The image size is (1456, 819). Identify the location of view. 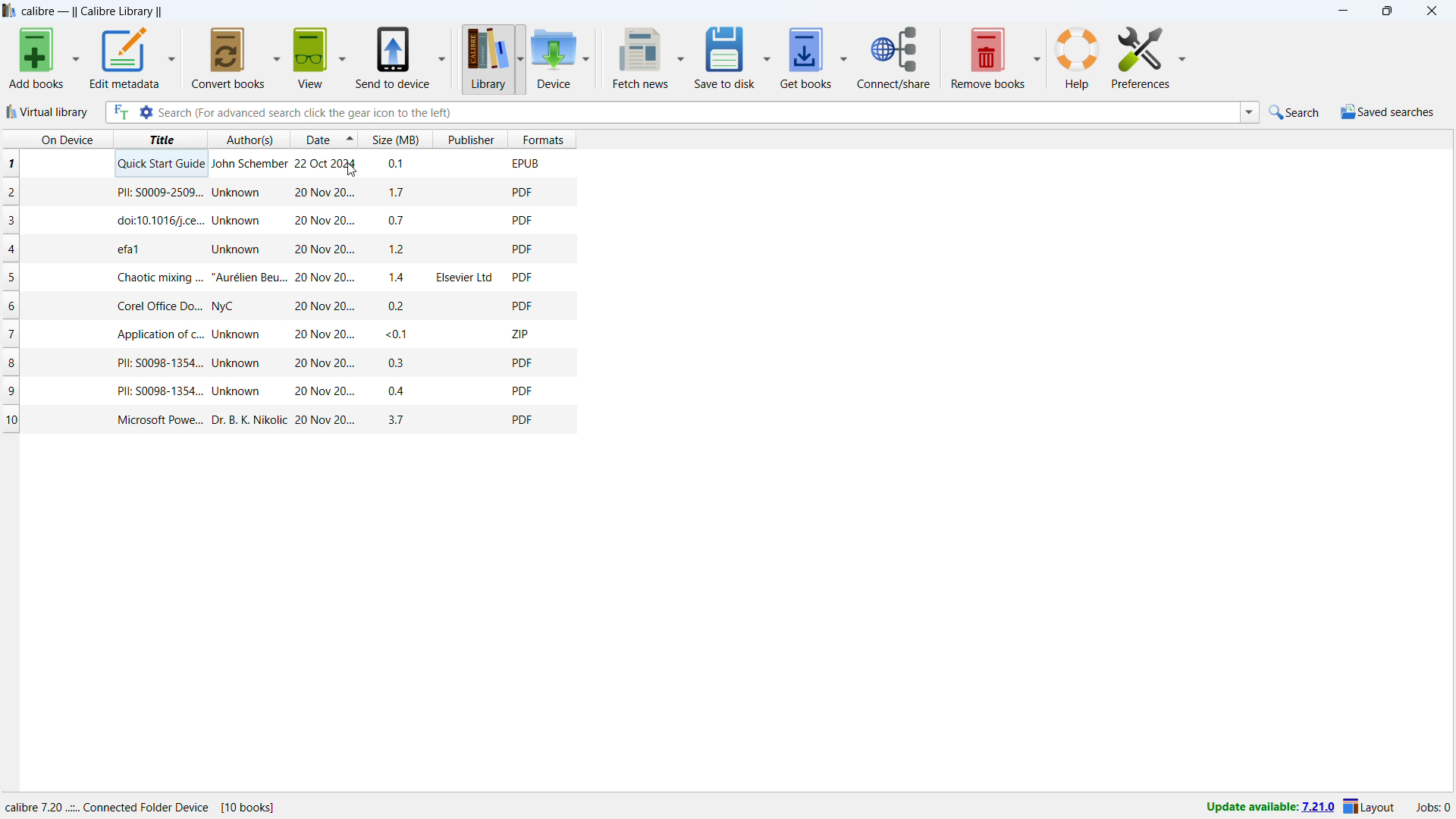
(310, 58).